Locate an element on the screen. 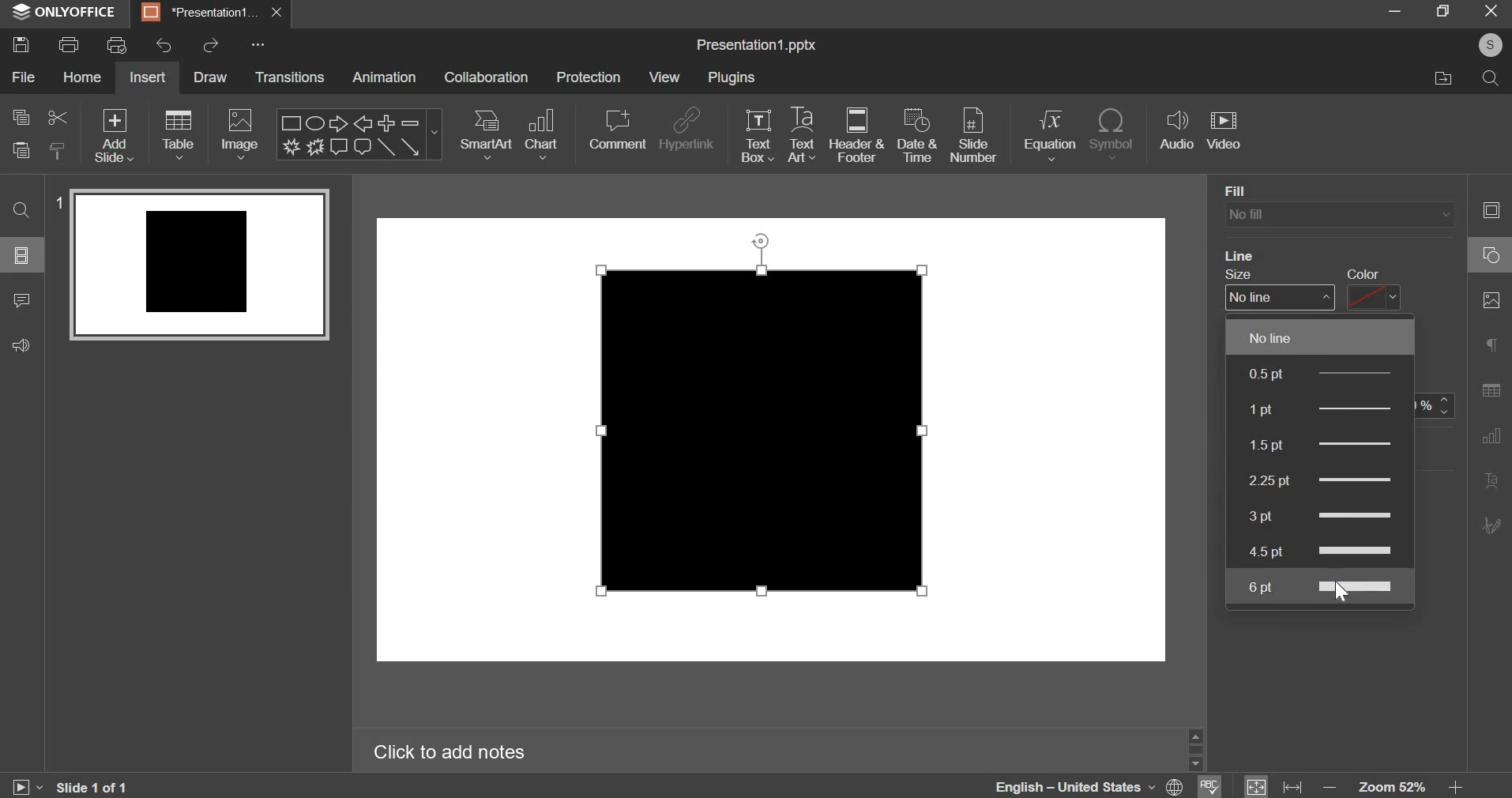 This screenshot has width=1512, height=798. undo is located at coordinates (164, 46).